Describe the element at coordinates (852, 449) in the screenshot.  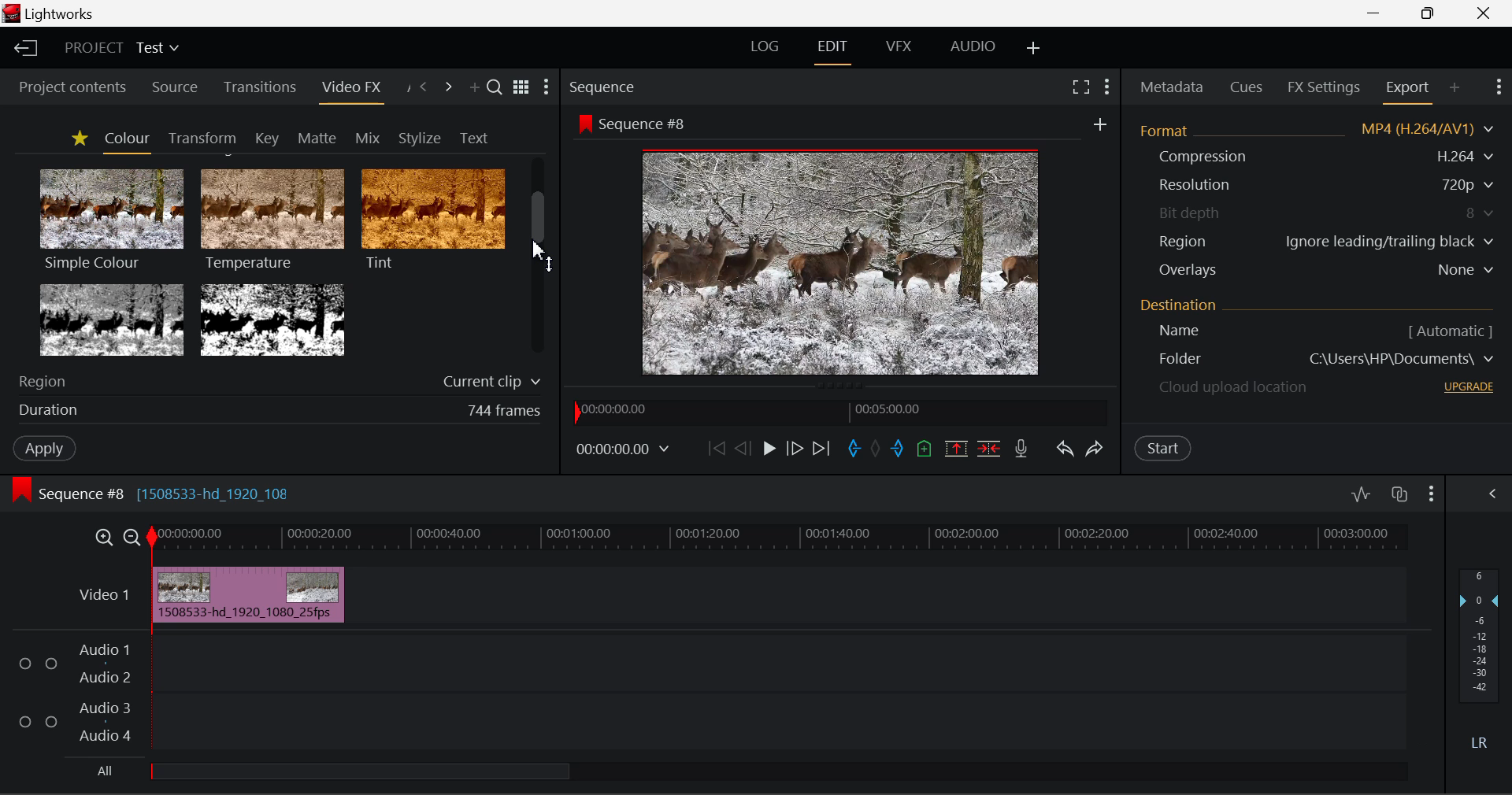
I see `Mark In` at that location.